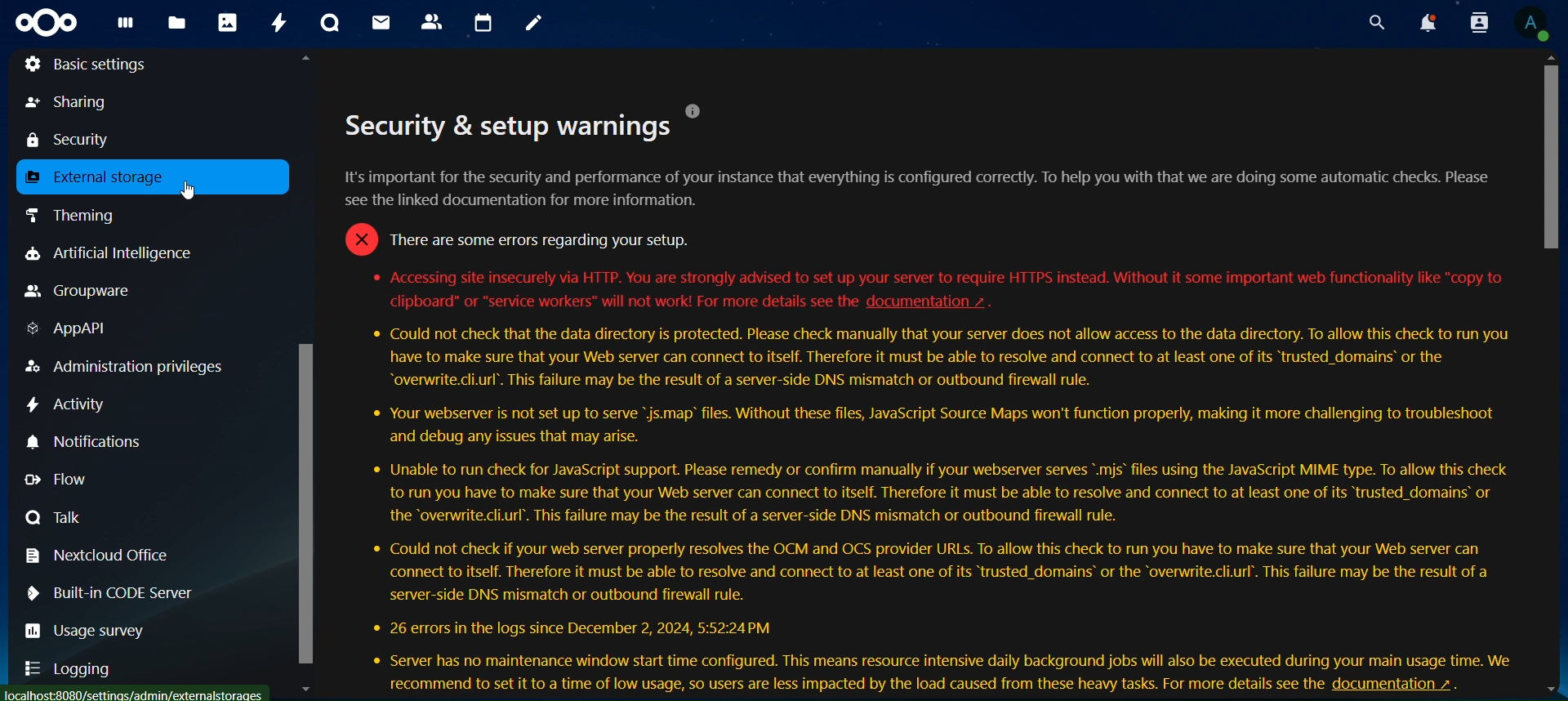 The height and width of the screenshot is (701, 1568). Describe the element at coordinates (1479, 23) in the screenshot. I see `search contacts` at that location.